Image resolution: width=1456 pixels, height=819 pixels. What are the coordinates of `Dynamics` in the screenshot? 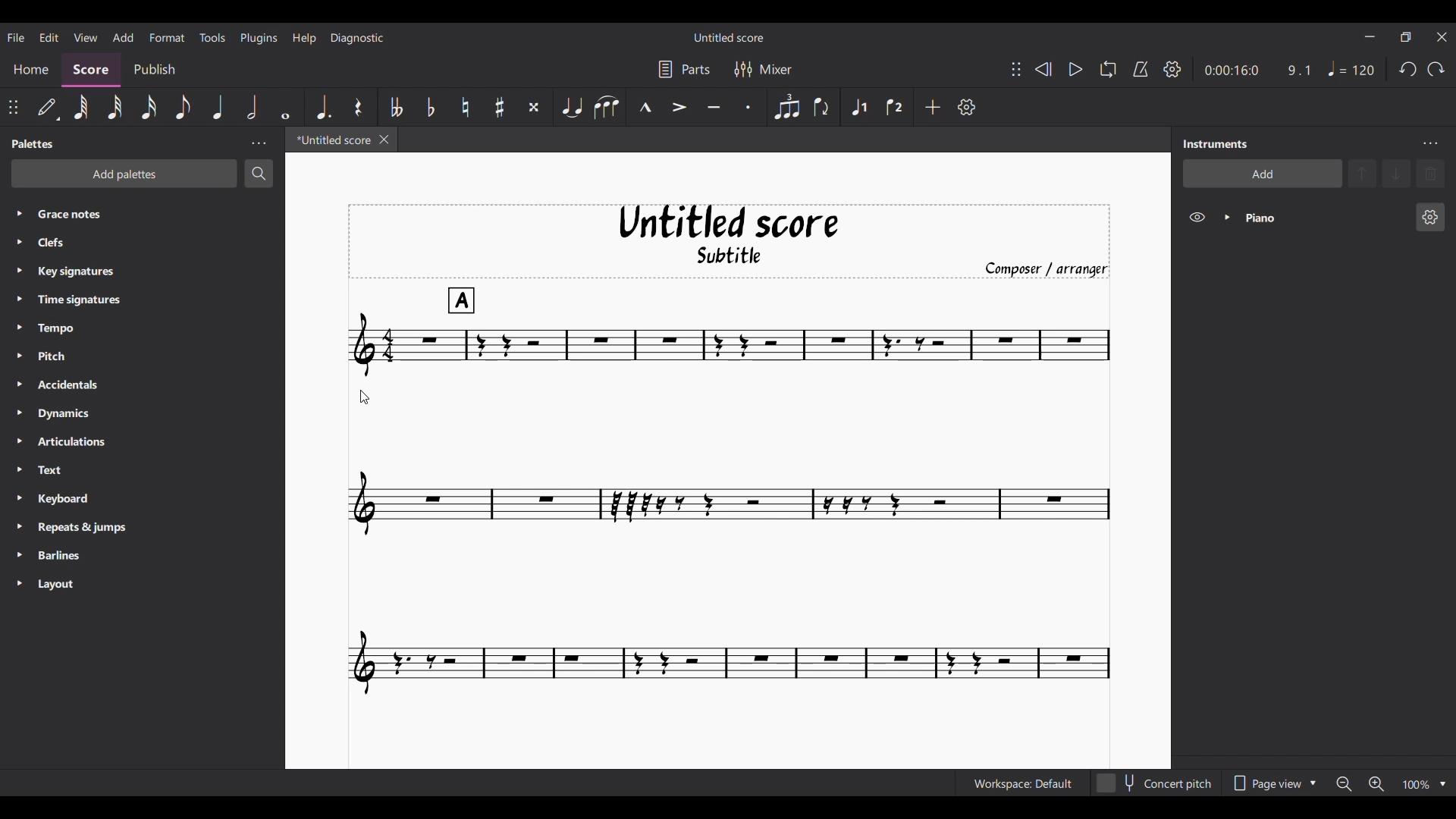 It's located at (90, 415).